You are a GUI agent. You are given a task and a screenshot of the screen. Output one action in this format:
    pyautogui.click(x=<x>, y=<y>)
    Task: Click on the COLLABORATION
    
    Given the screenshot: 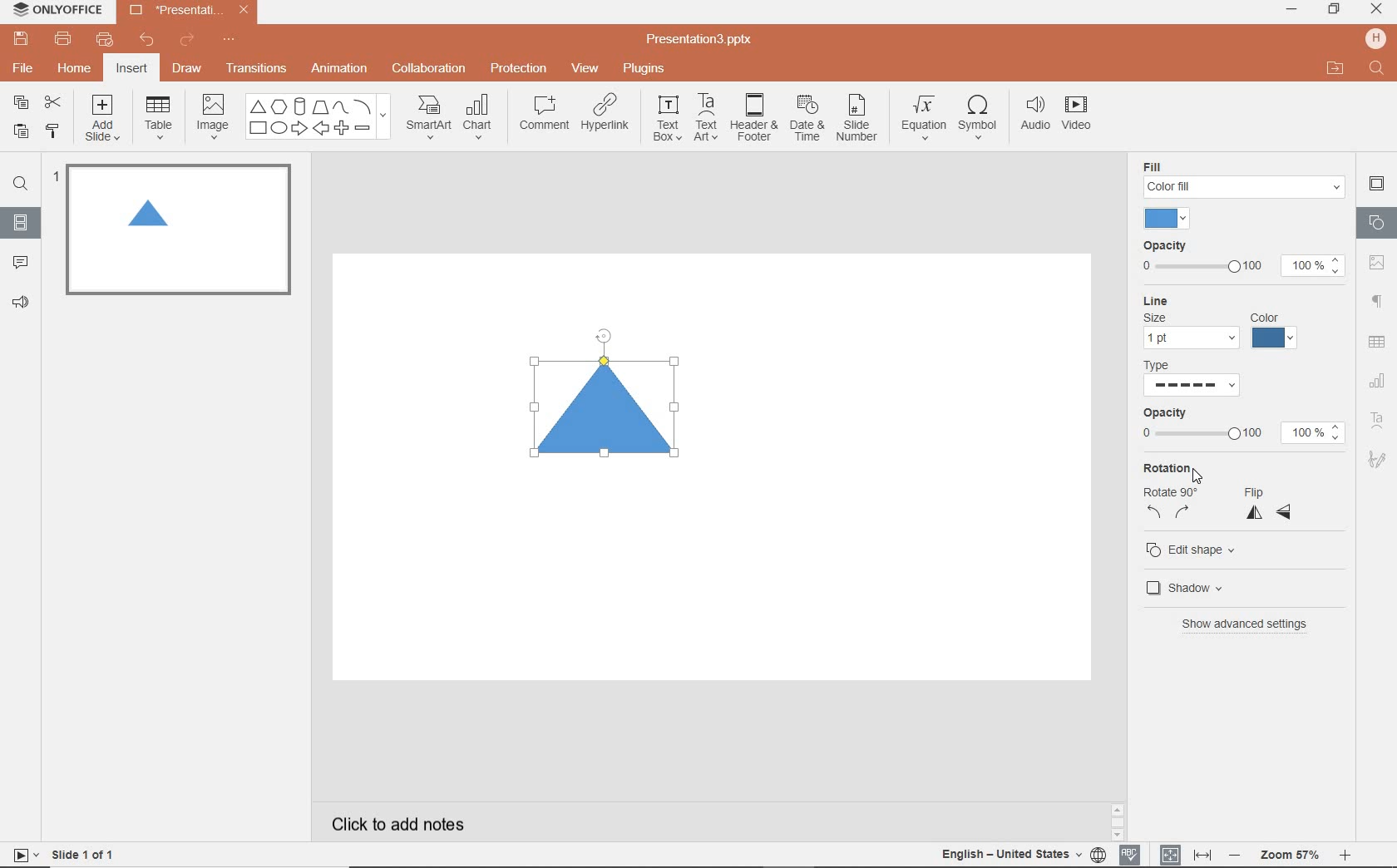 What is the action you would take?
    pyautogui.click(x=434, y=70)
    